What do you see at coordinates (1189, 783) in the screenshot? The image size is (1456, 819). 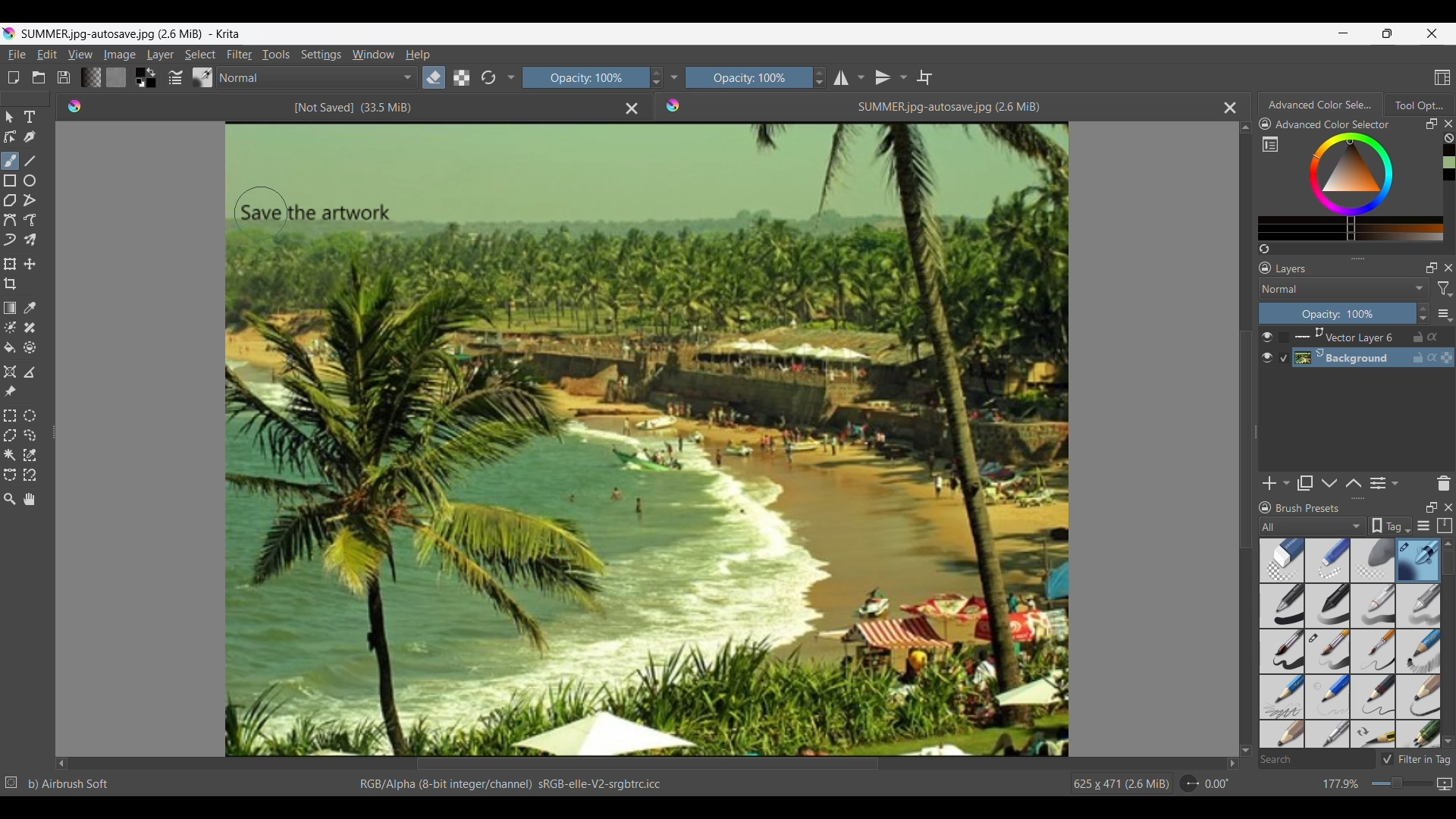 I see `Dial to change rotation` at bounding box center [1189, 783].